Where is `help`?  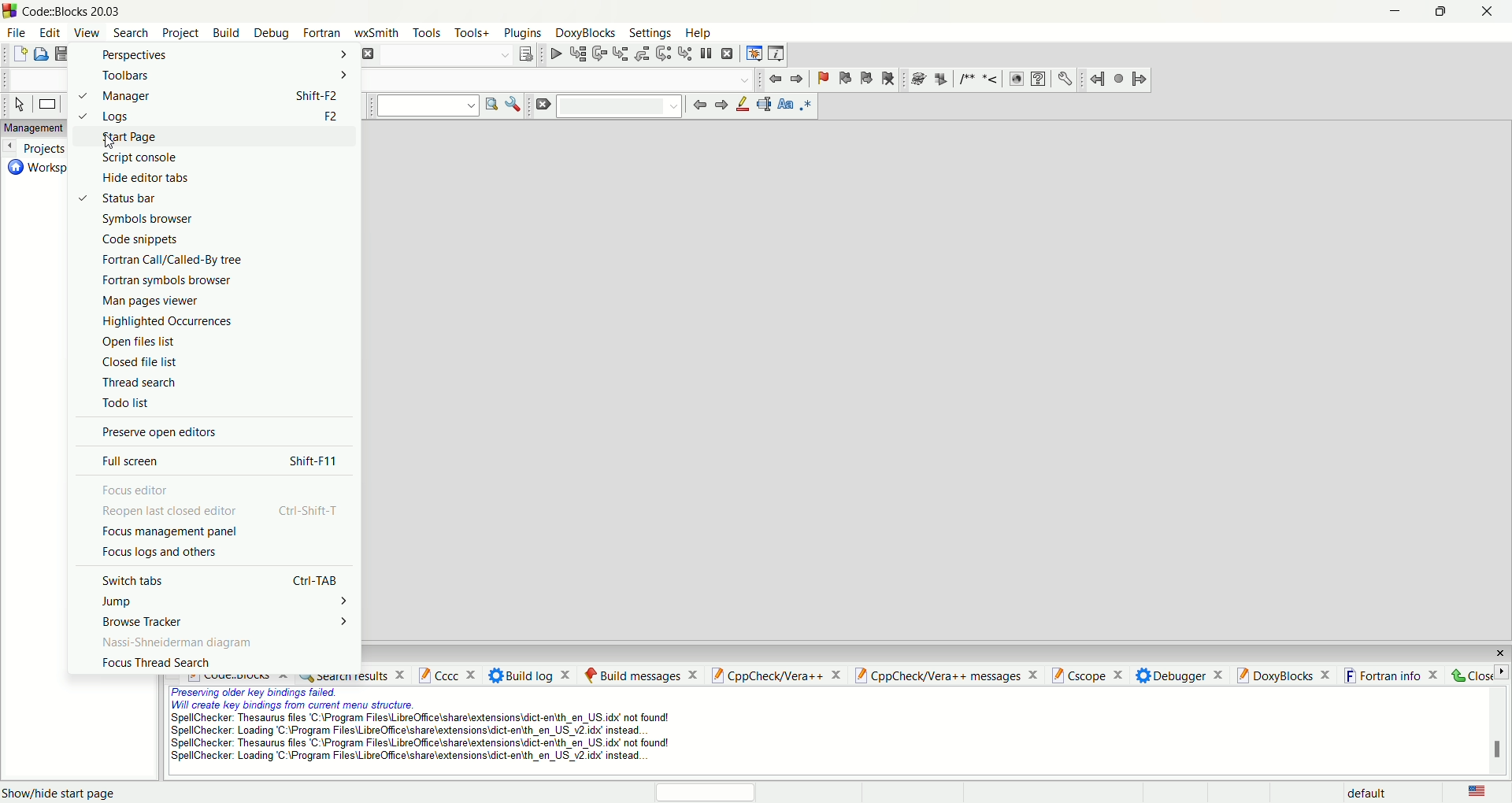 help is located at coordinates (1039, 80).